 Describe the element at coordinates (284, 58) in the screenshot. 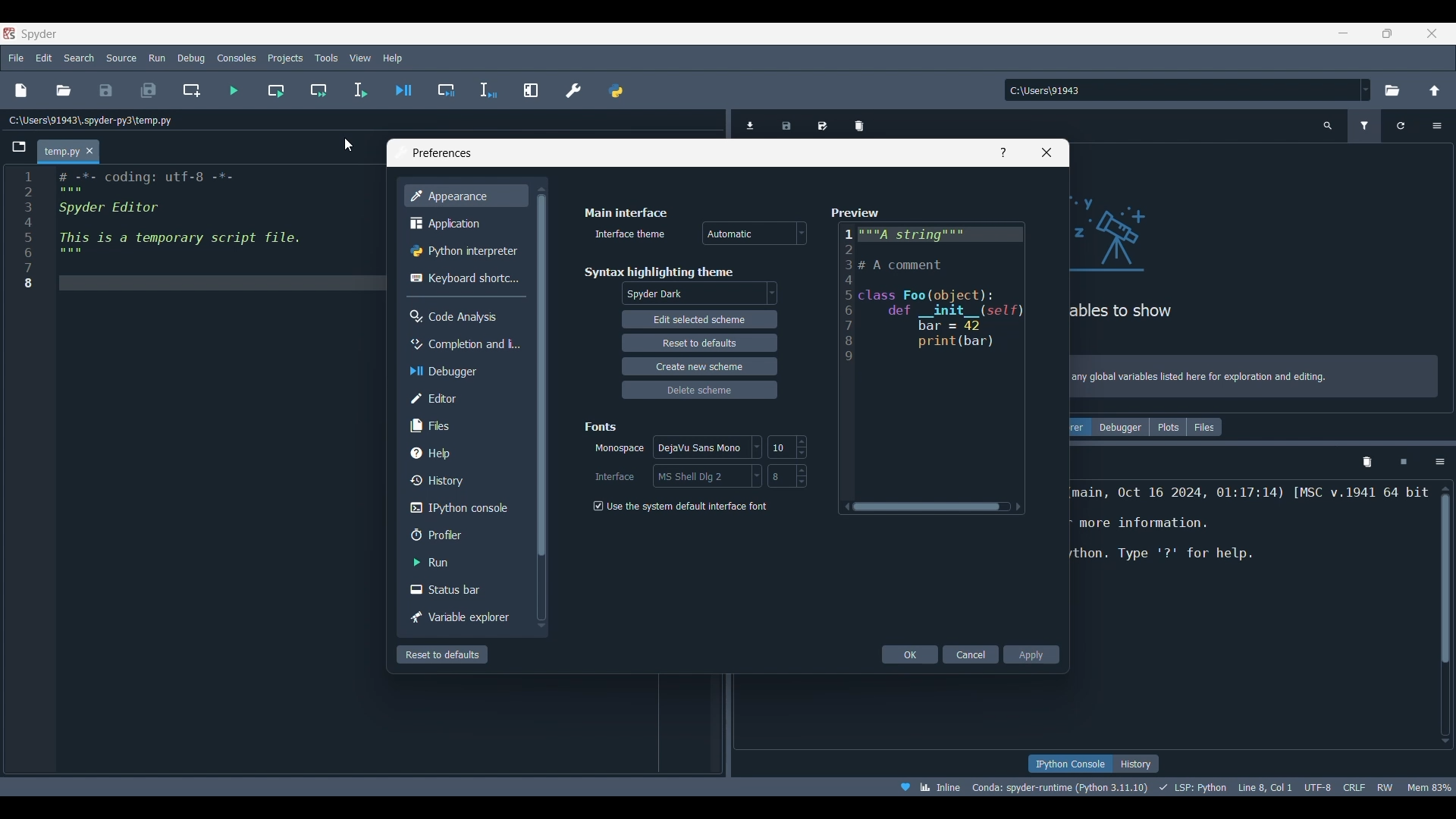

I see `Projects menu` at that location.